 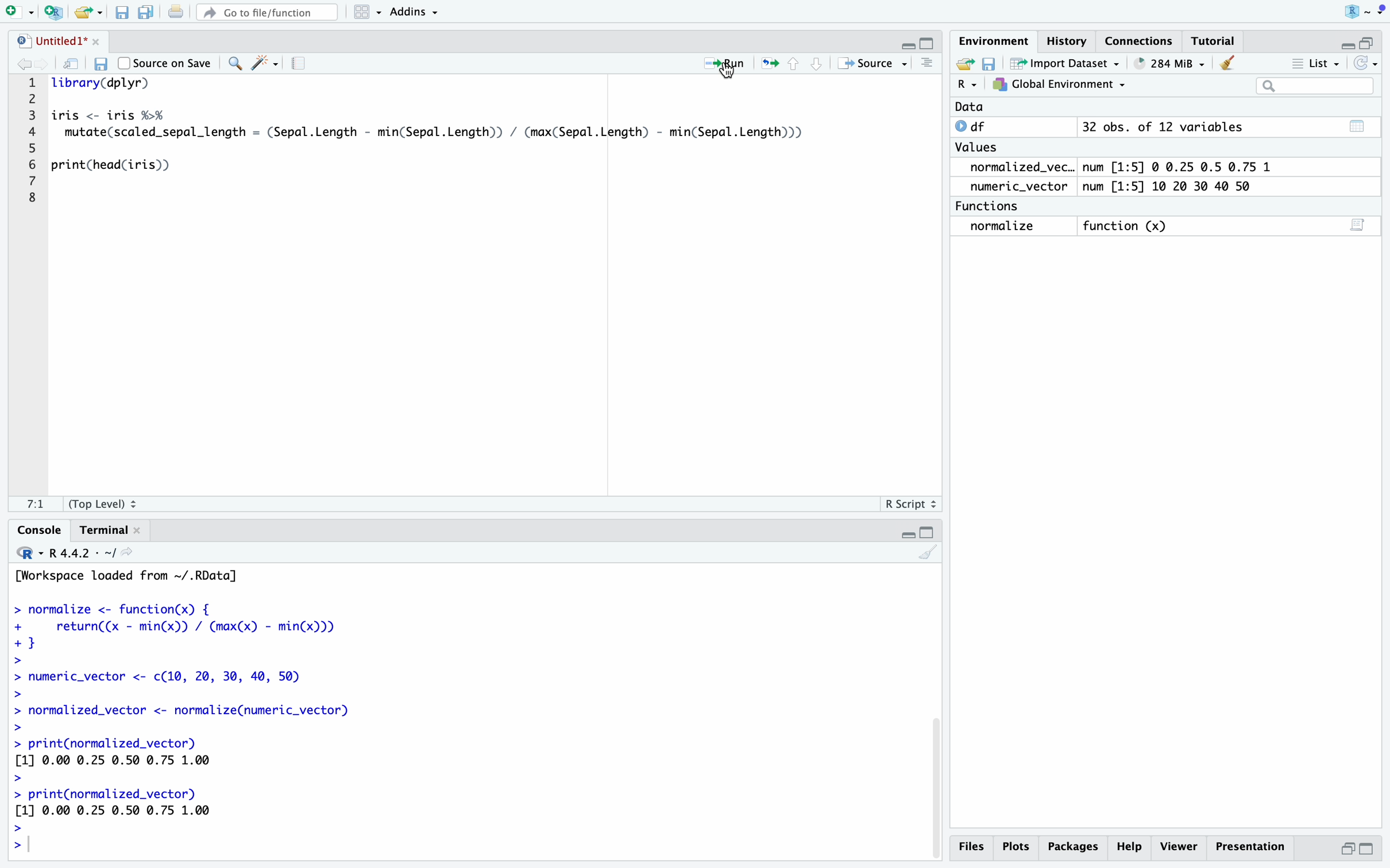 I want to click on num [1:5] 10 20 30 40 50 , so click(x=1172, y=187).